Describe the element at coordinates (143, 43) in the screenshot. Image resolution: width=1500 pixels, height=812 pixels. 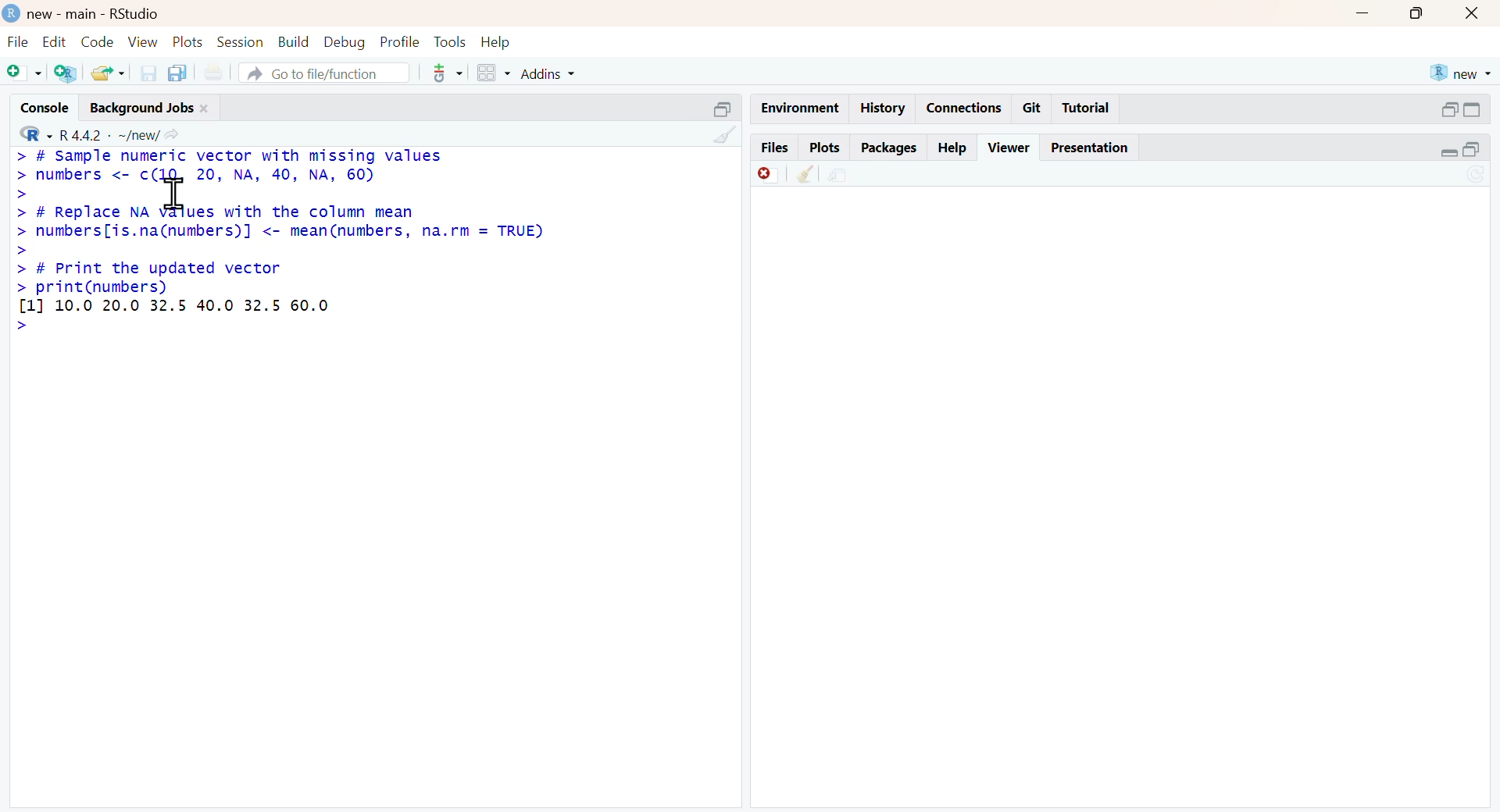
I see `view` at that location.